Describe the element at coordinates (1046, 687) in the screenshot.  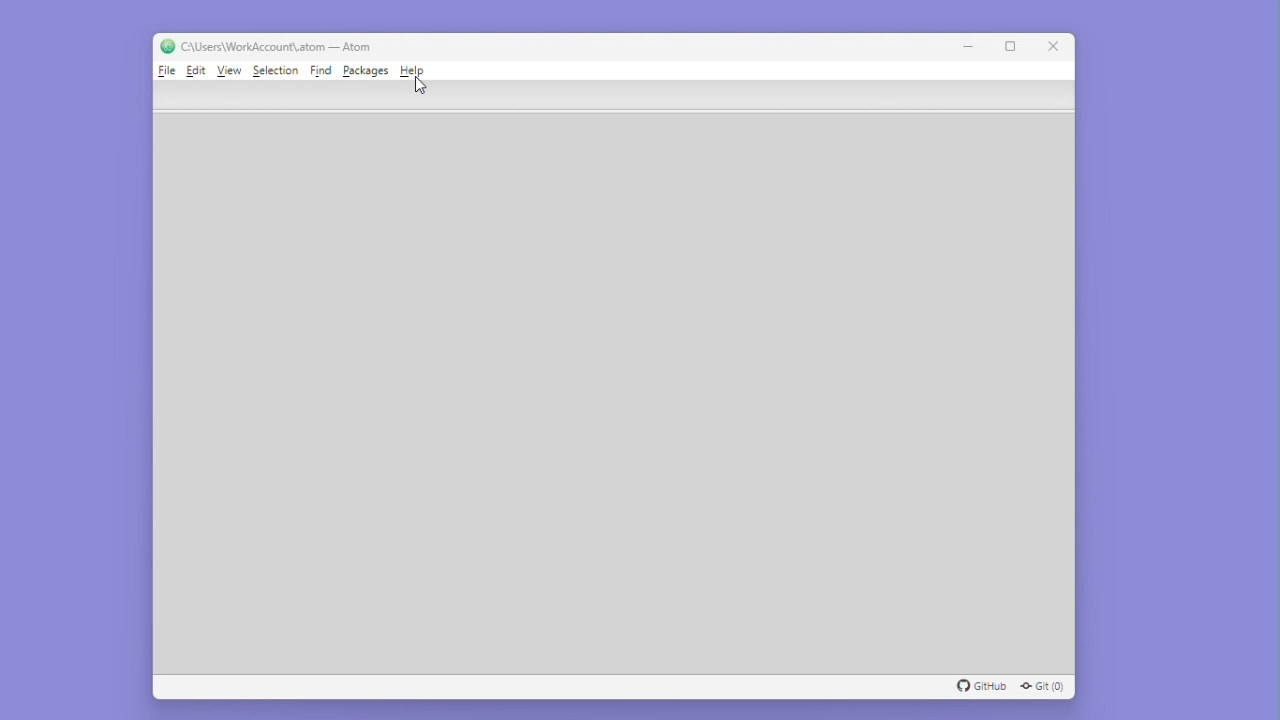
I see `Git (0)` at that location.